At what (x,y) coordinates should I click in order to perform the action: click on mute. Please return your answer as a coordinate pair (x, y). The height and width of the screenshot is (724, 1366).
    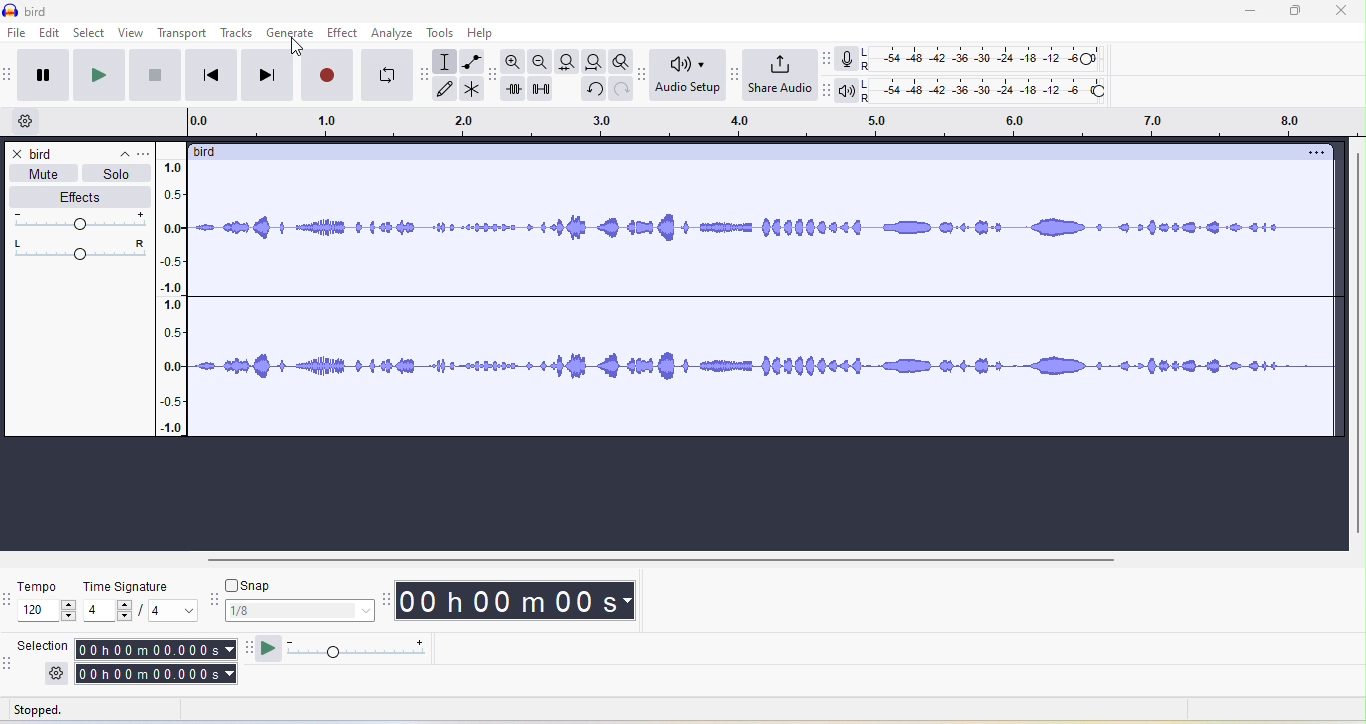
    Looking at the image, I should click on (50, 173).